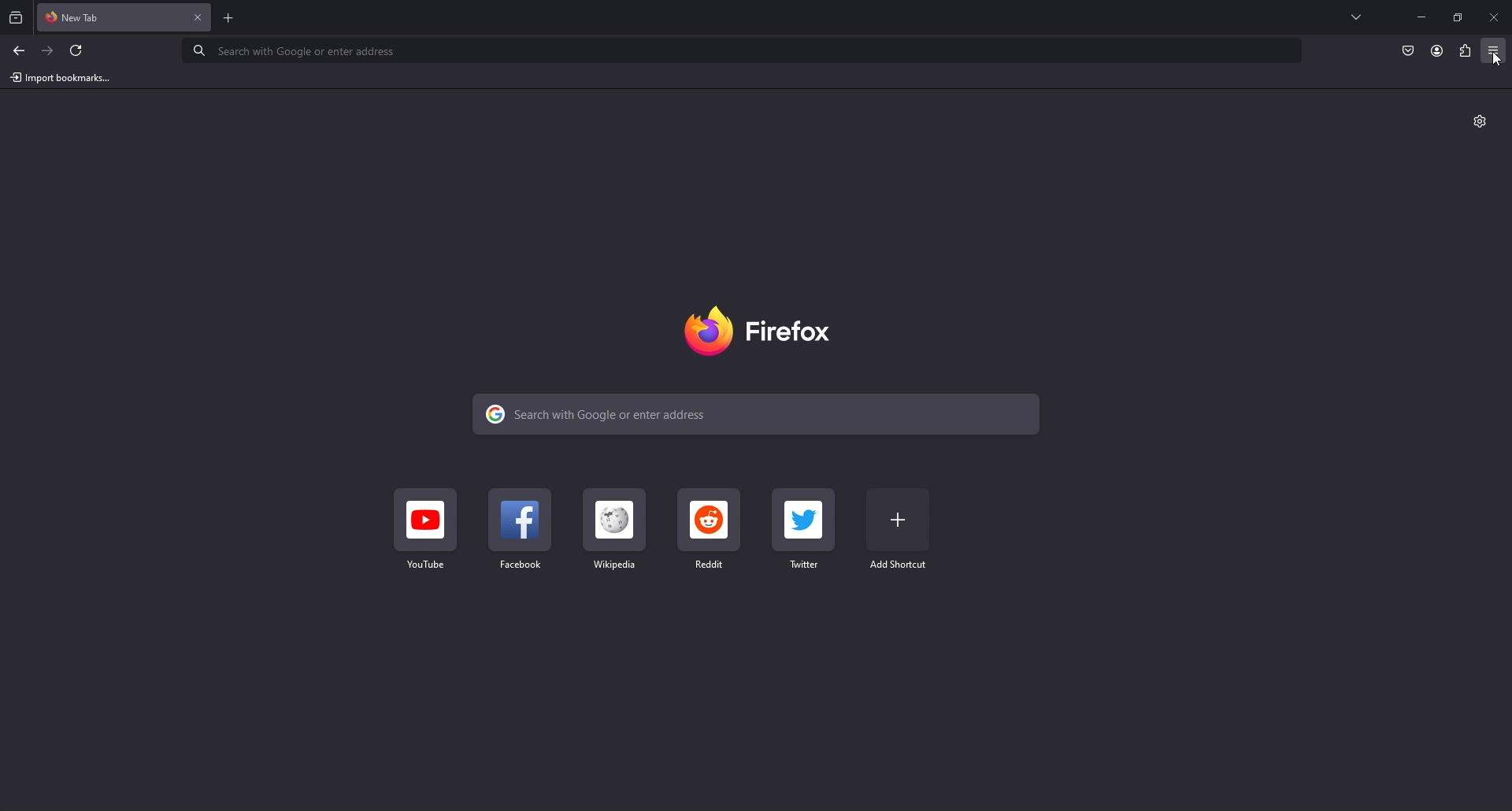 Image resolution: width=1512 pixels, height=811 pixels. Describe the element at coordinates (199, 18) in the screenshot. I see `close tab` at that location.